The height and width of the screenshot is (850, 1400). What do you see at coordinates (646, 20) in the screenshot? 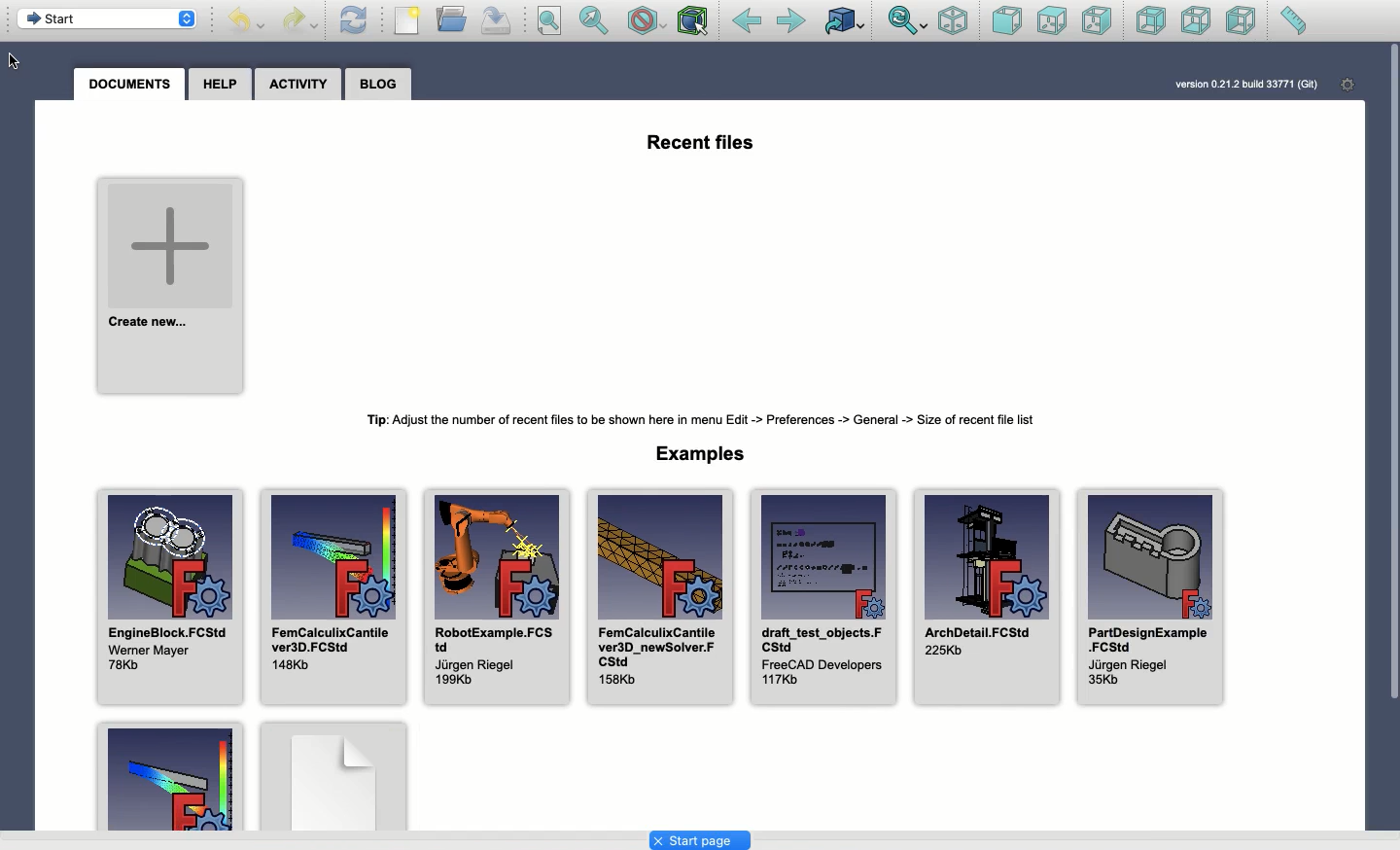
I see `Draw style` at bounding box center [646, 20].